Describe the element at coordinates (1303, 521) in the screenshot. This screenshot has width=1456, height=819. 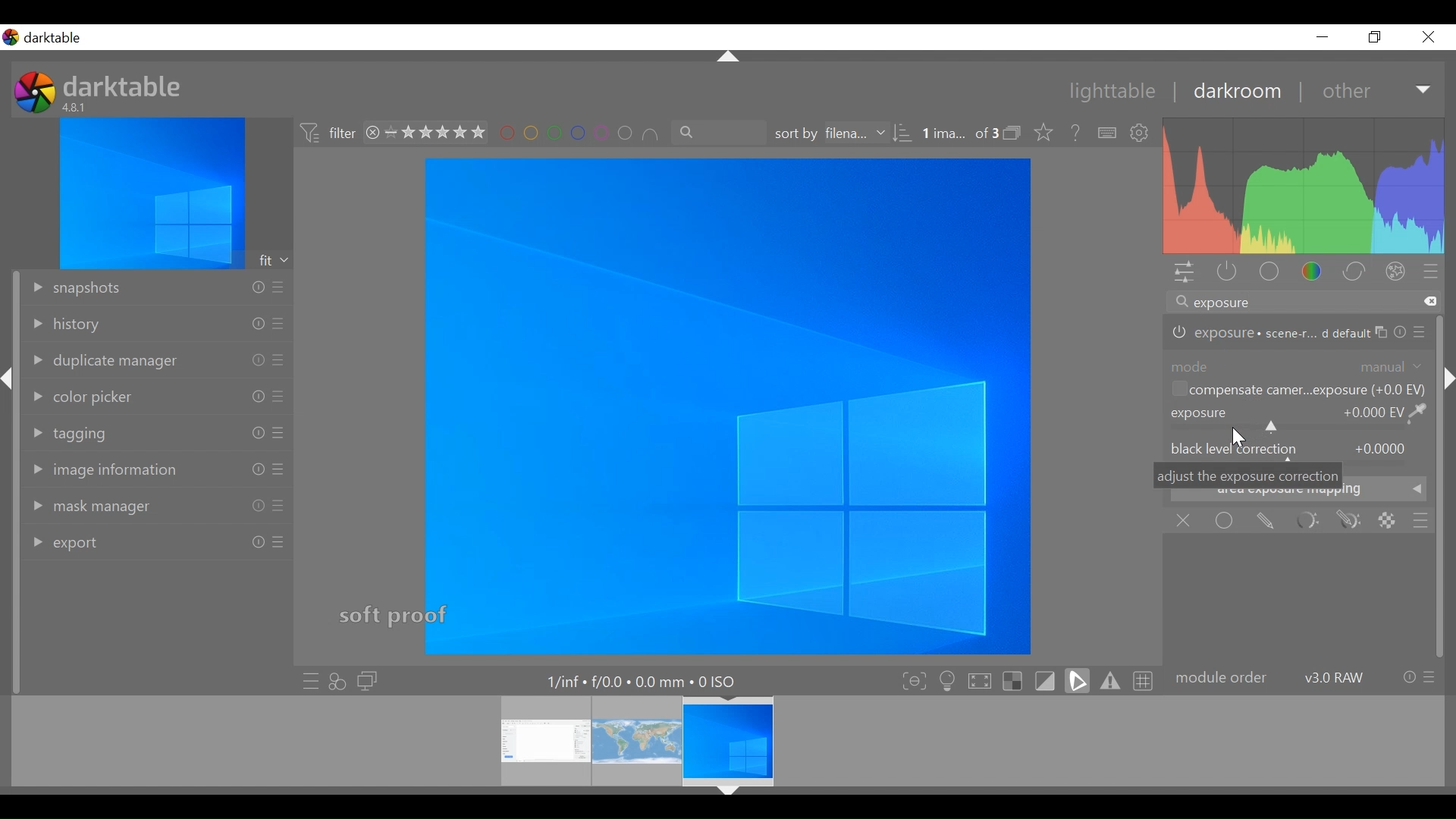
I see `parametric mask` at that location.